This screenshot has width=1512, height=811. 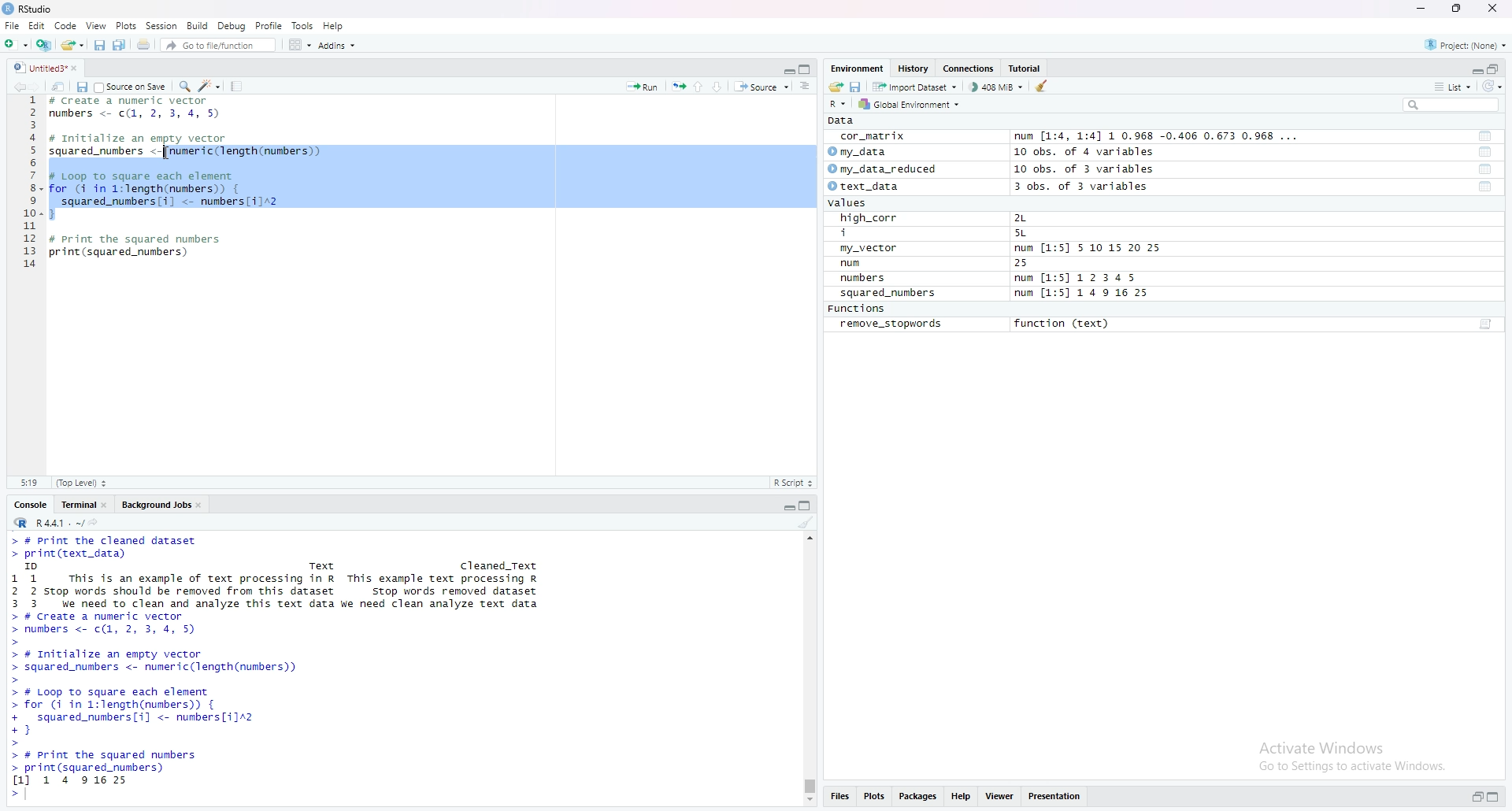 What do you see at coordinates (137, 250) in the screenshot?
I see `# Print the squared numbers
print (squared_nunbers)` at bounding box center [137, 250].